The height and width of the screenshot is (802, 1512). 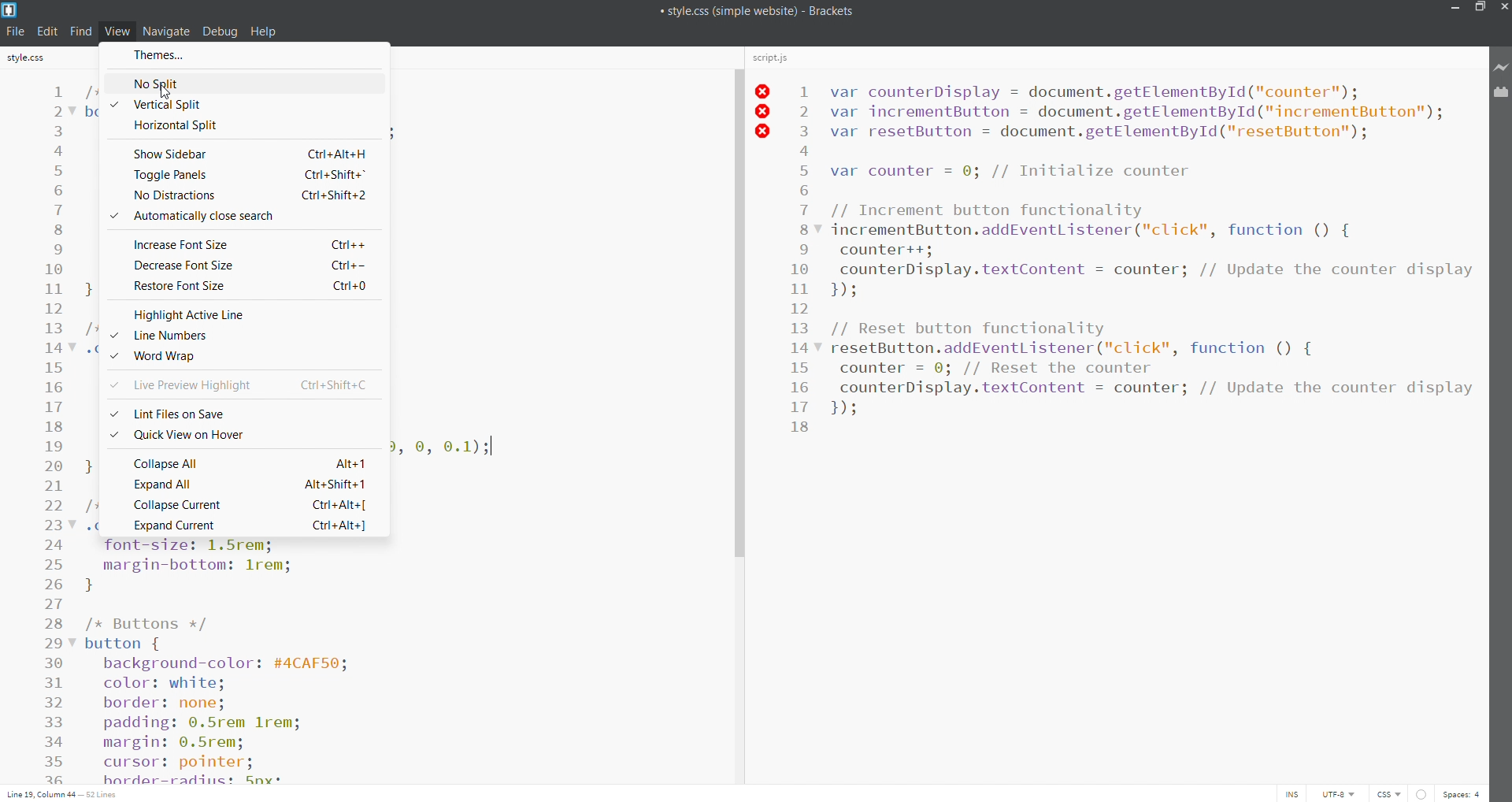 What do you see at coordinates (65, 793) in the screenshot?
I see `cursor position` at bounding box center [65, 793].